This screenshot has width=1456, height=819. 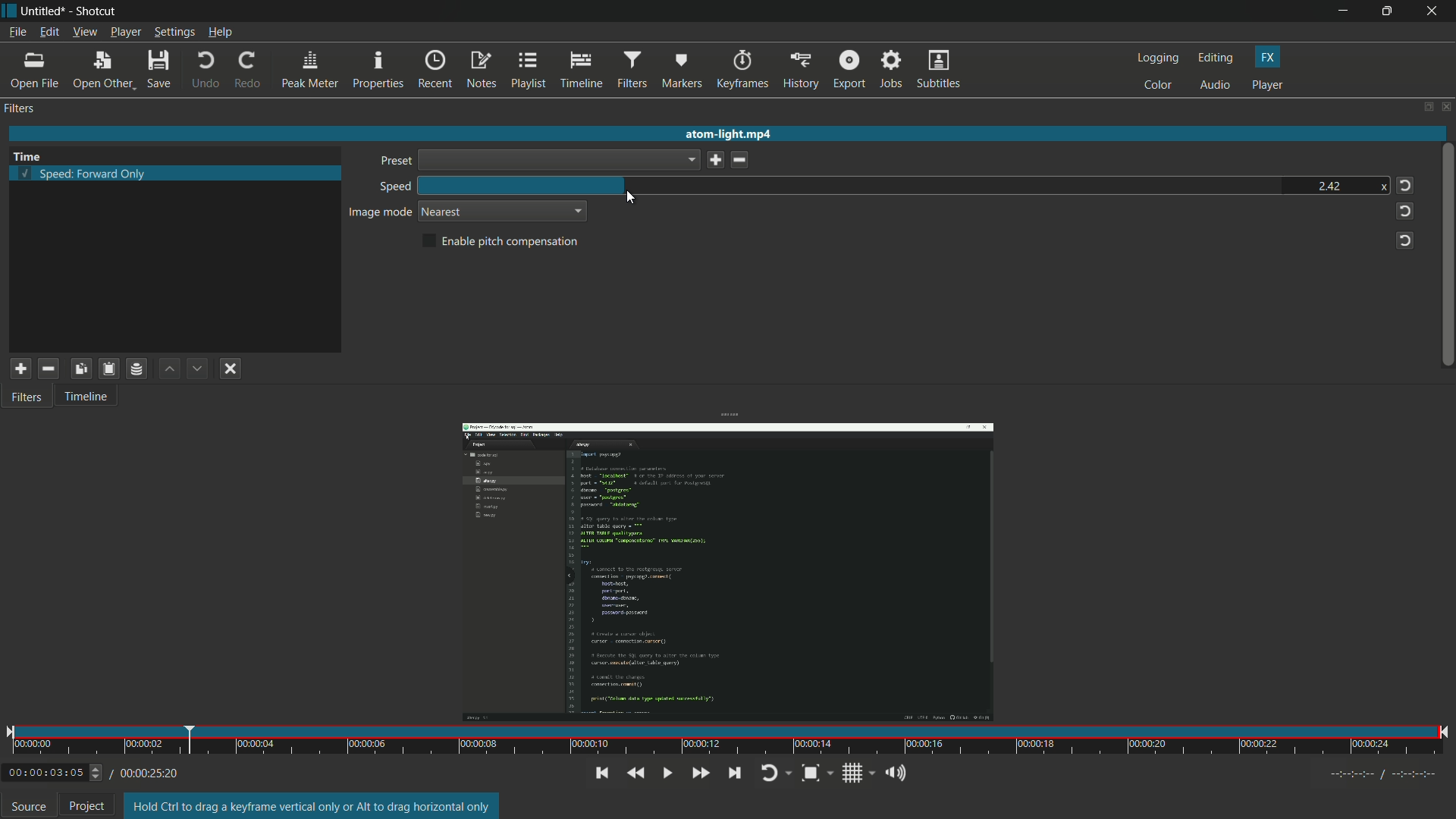 What do you see at coordinates (724, 570) in the screenshot?
I see `opened file` at bounding box center [724, 570].